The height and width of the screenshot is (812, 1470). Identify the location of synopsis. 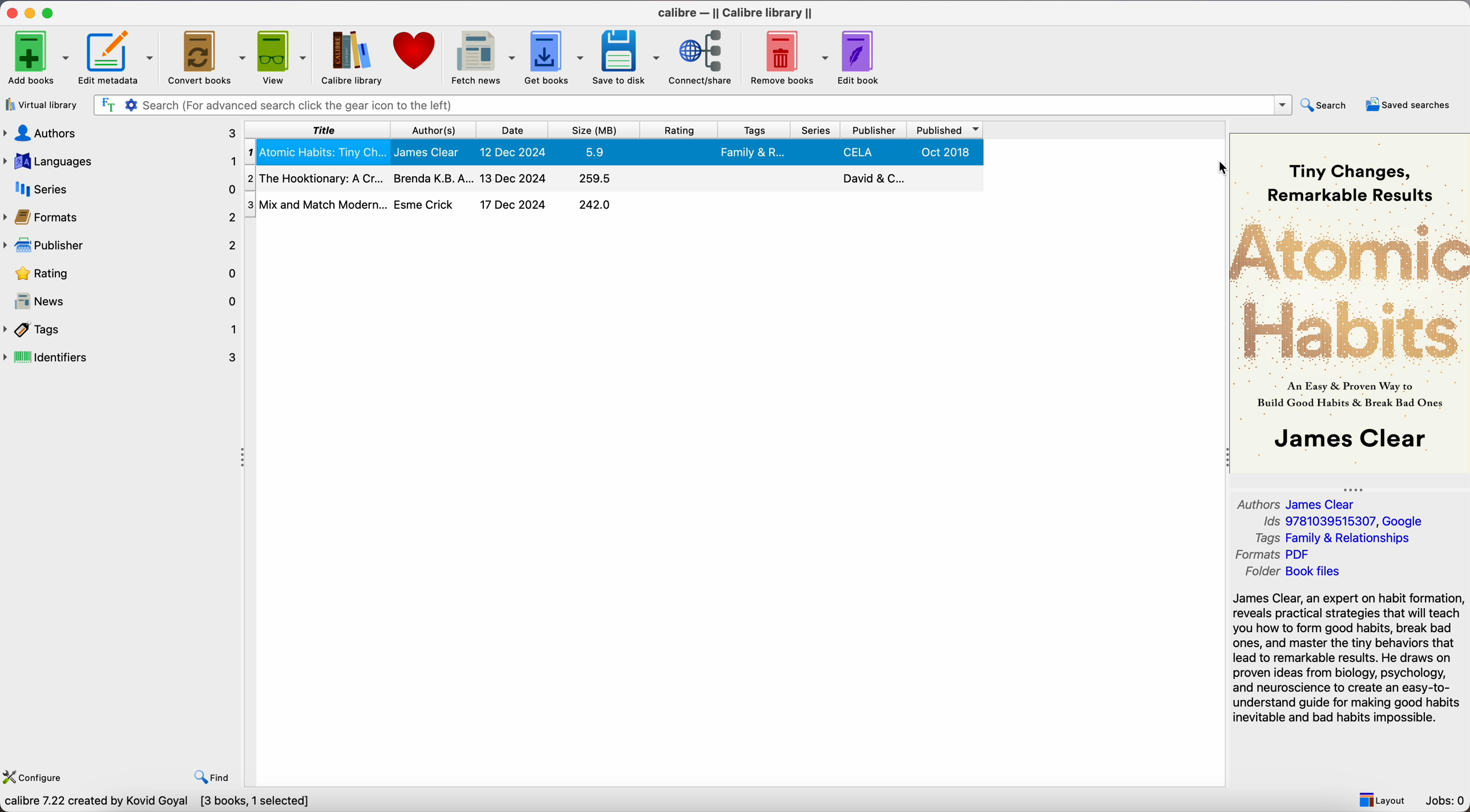
(1350, 659).